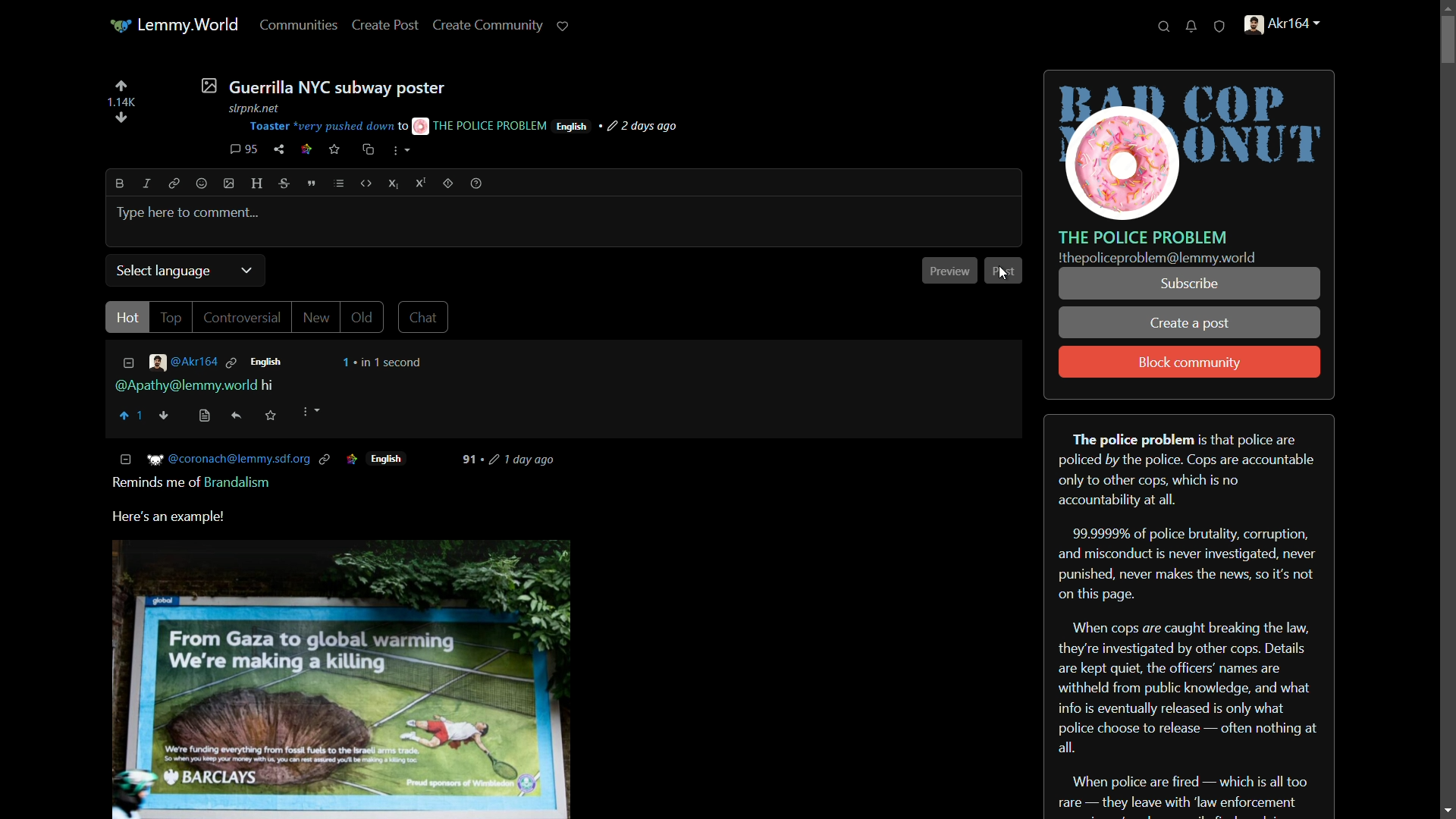 This screenshot has width=1456, height=819. Describe the element at coordinates (231, 360) in the screenshot. I see `link` at that location.